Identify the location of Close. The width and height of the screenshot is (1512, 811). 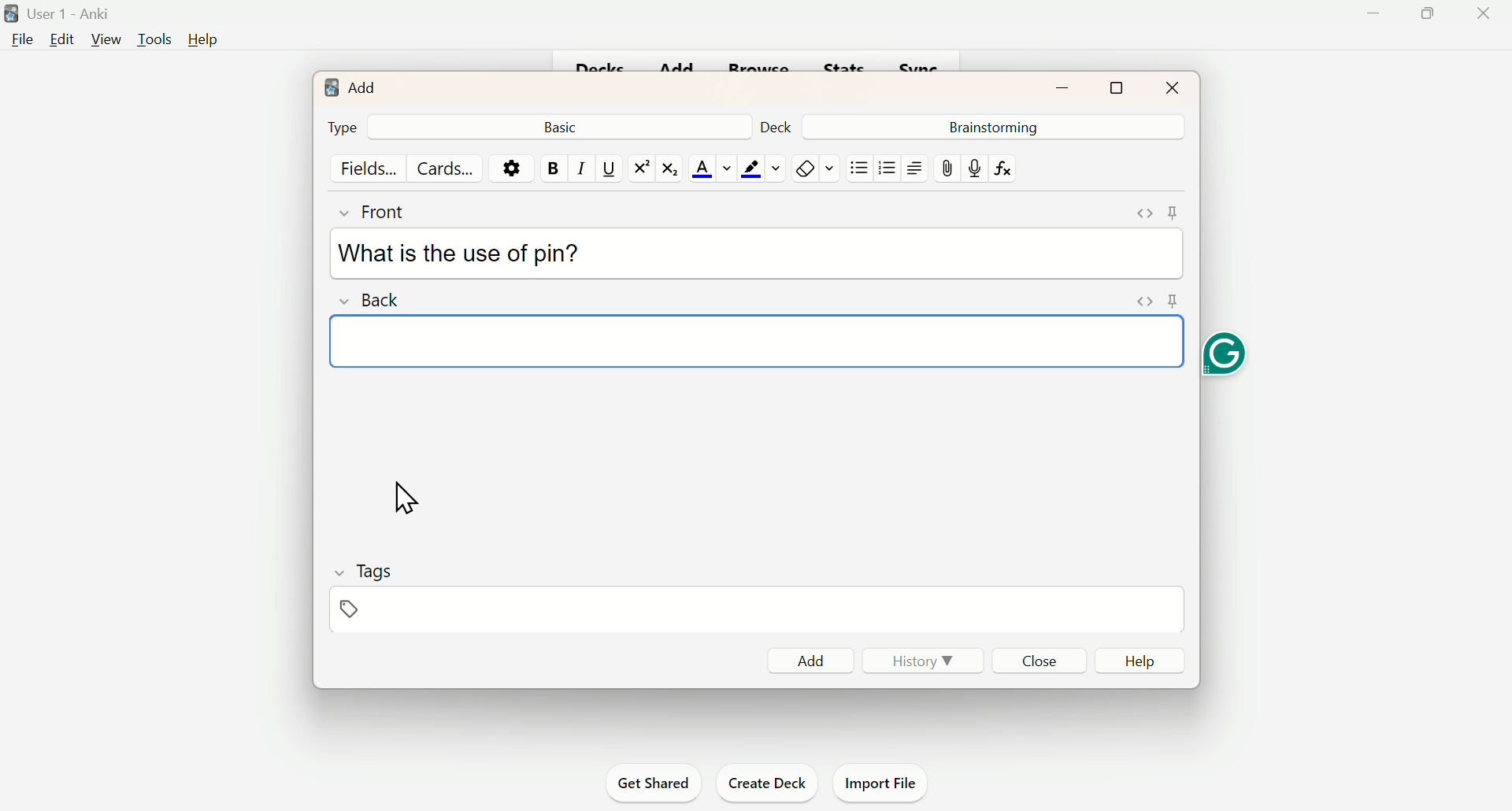
(1043, 660).